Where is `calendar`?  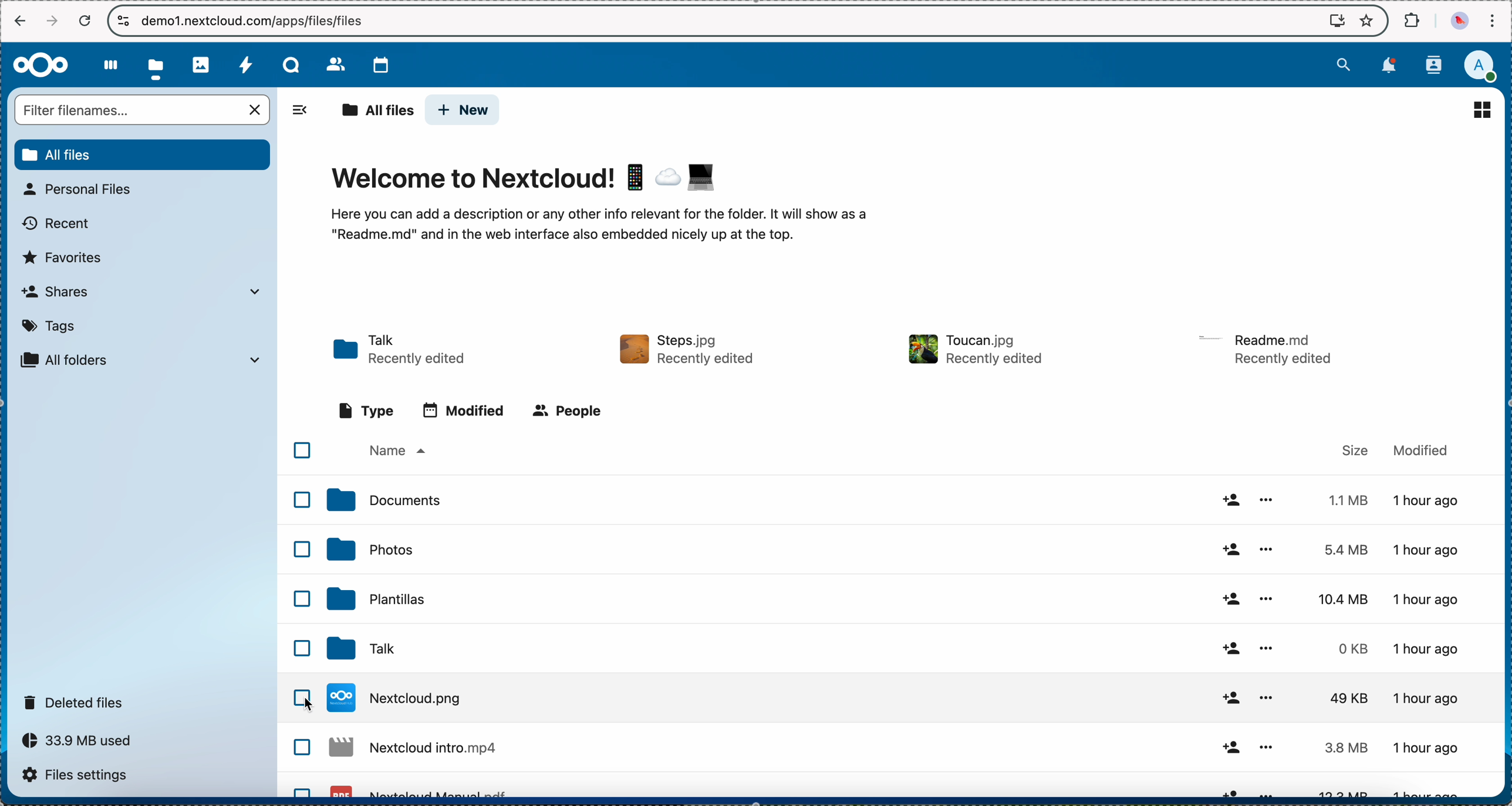
calendar is located at coordinates (376, 64).